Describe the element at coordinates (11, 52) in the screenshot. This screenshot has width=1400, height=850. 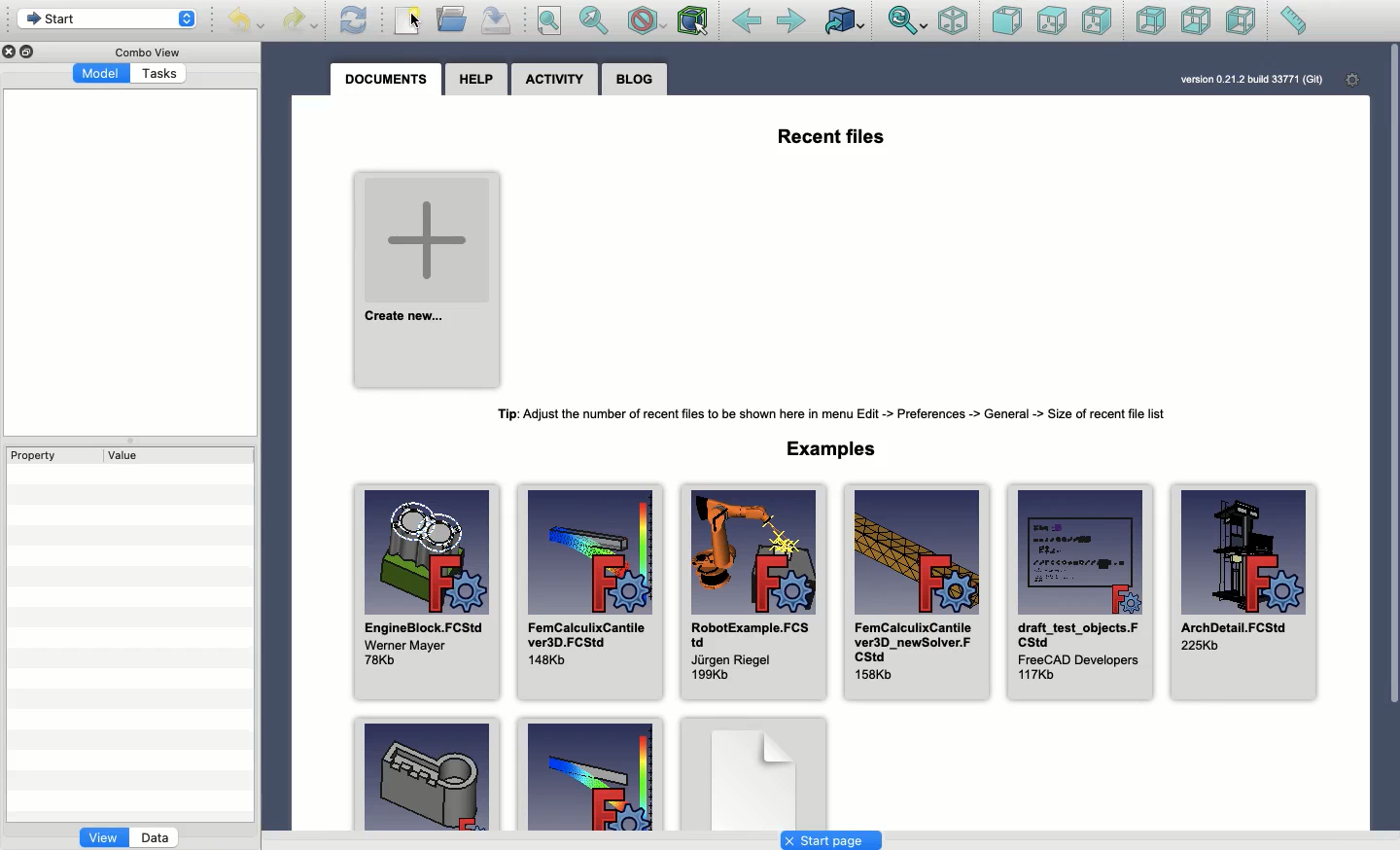
I see `Close` at that location.